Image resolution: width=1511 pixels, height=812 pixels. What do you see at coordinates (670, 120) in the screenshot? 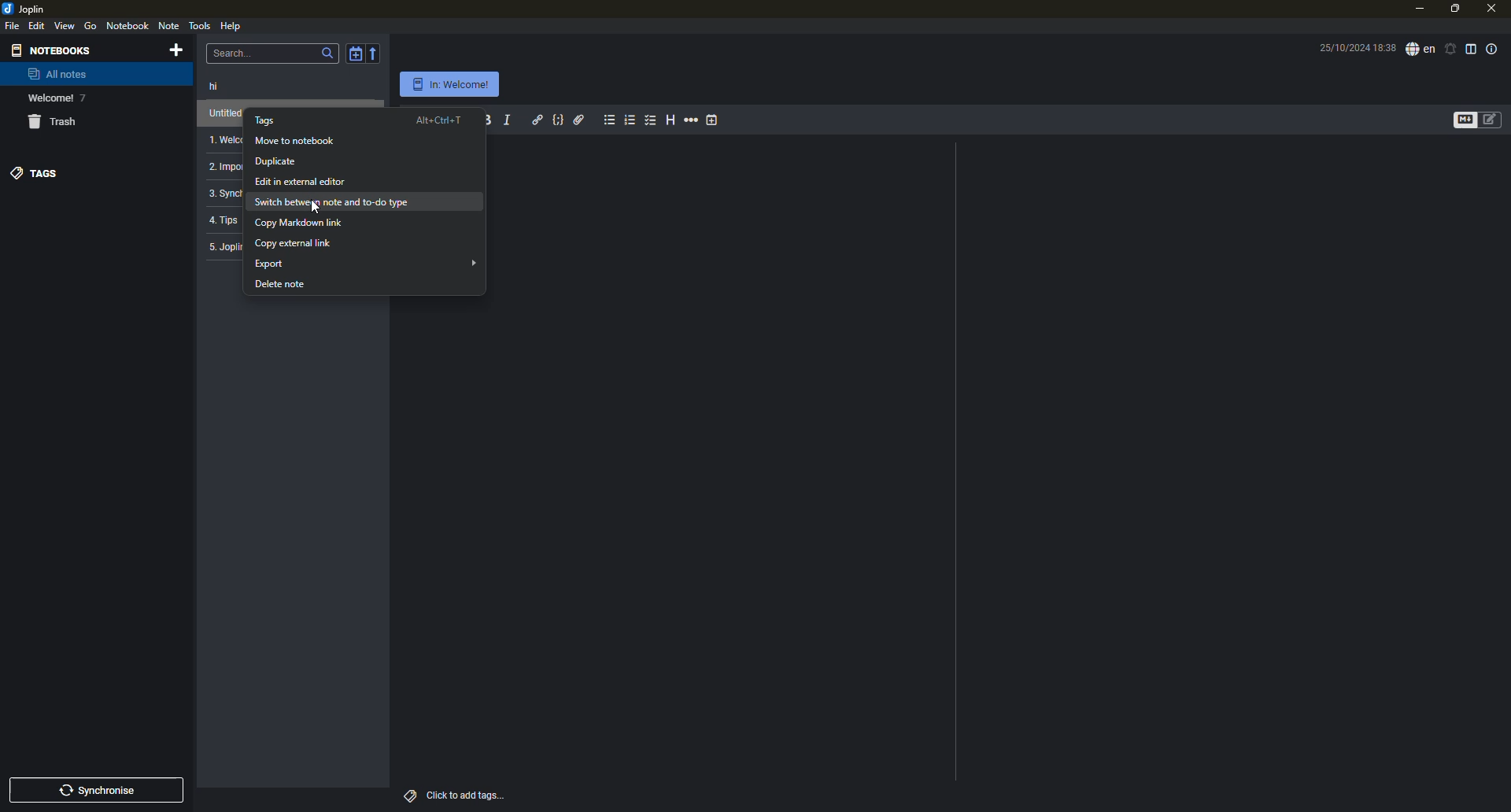
I see `heading` at bounding box center [670, 120].